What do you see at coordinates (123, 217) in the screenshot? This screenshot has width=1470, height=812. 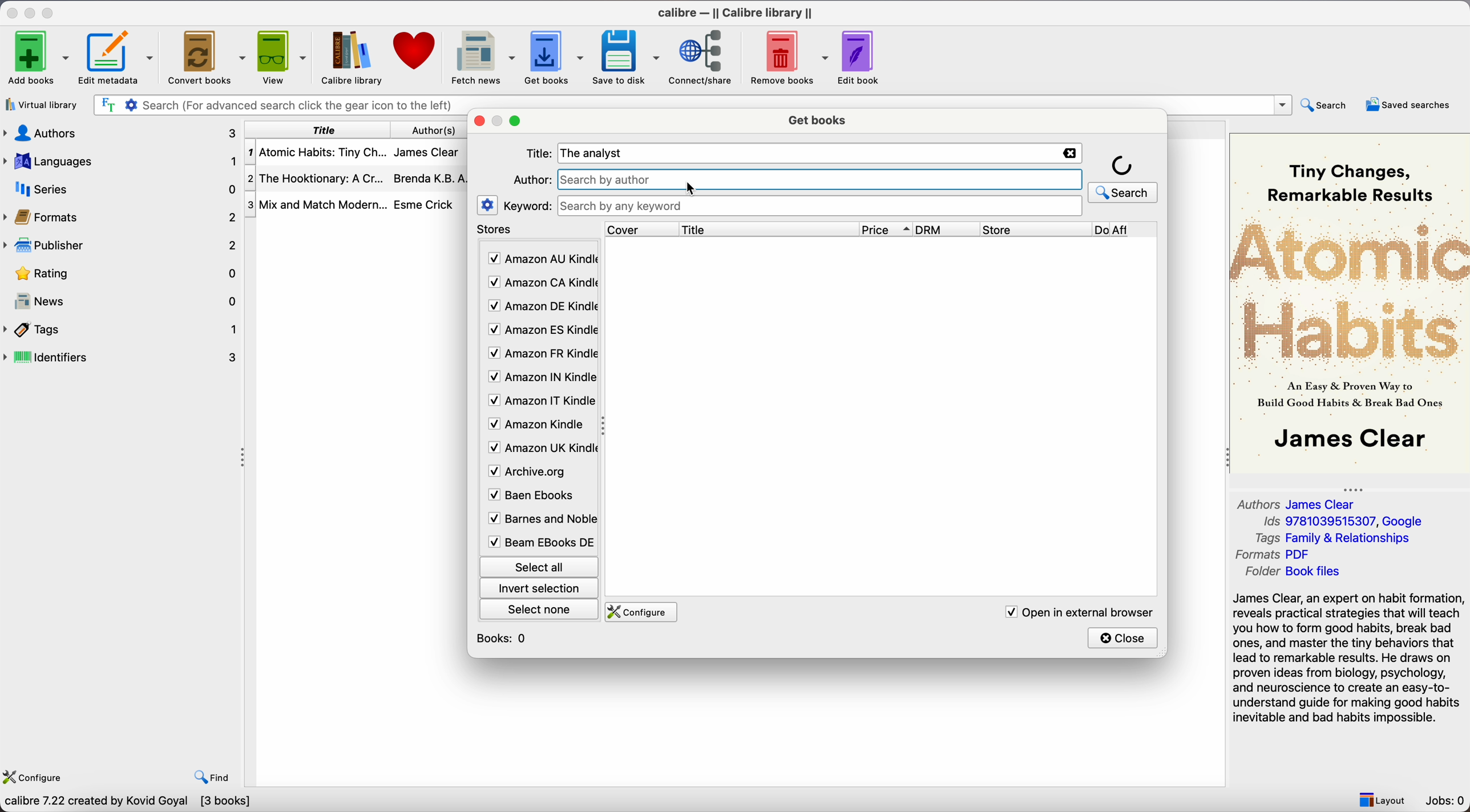 I see `formats` at bounding box center [123, 217].